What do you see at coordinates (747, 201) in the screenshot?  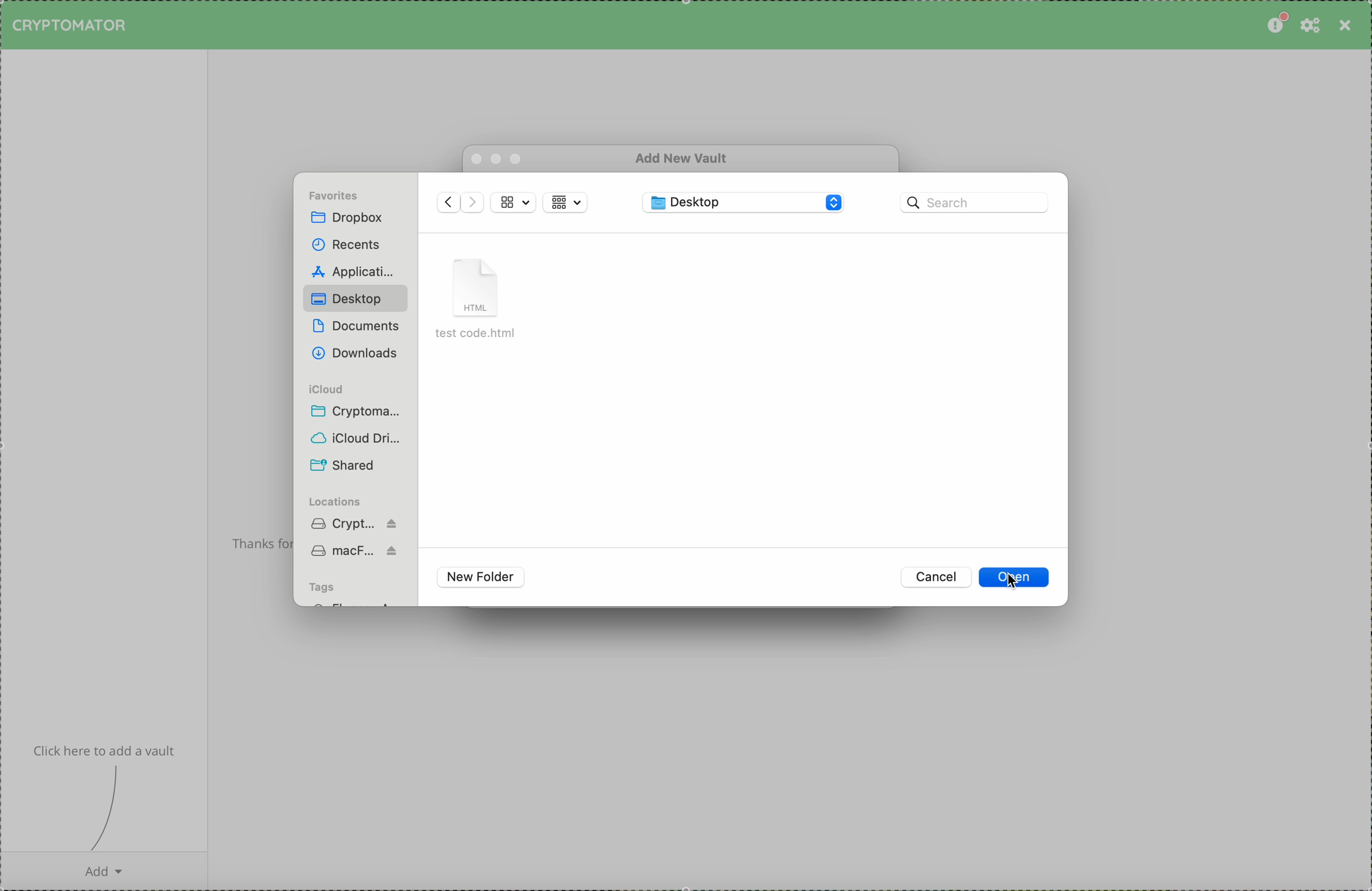 I see `desktop folder` at bounding box center [747, 201].